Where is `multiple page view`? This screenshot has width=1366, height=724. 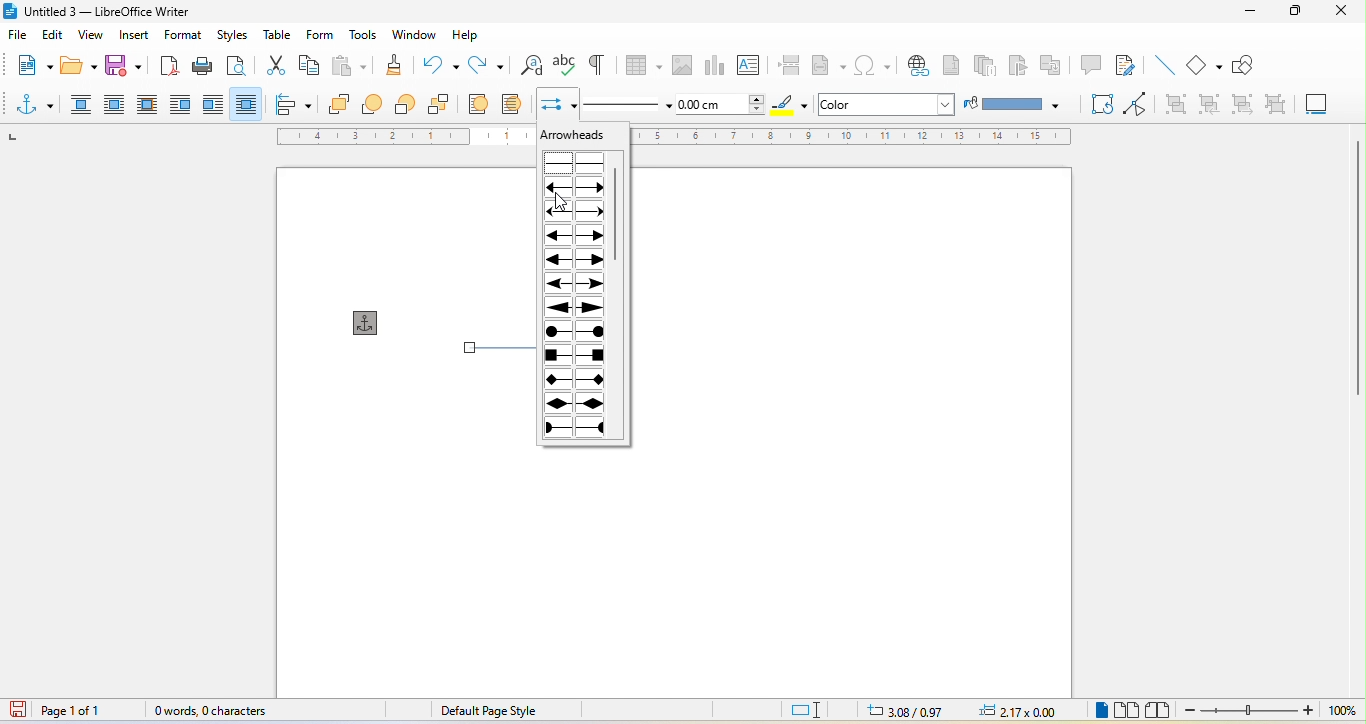
multiple page view is located at coordinates (1128, 711).